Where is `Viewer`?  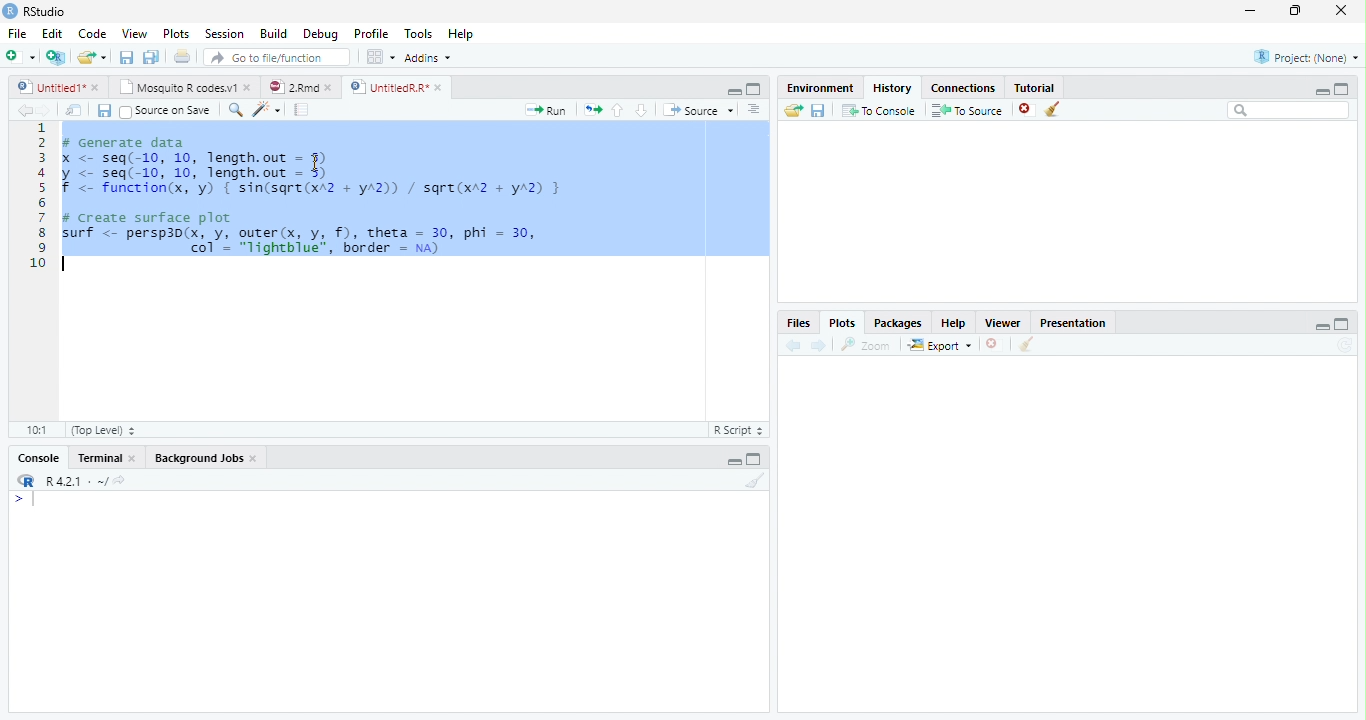 Viewer is located at coordinates (1002, 322).